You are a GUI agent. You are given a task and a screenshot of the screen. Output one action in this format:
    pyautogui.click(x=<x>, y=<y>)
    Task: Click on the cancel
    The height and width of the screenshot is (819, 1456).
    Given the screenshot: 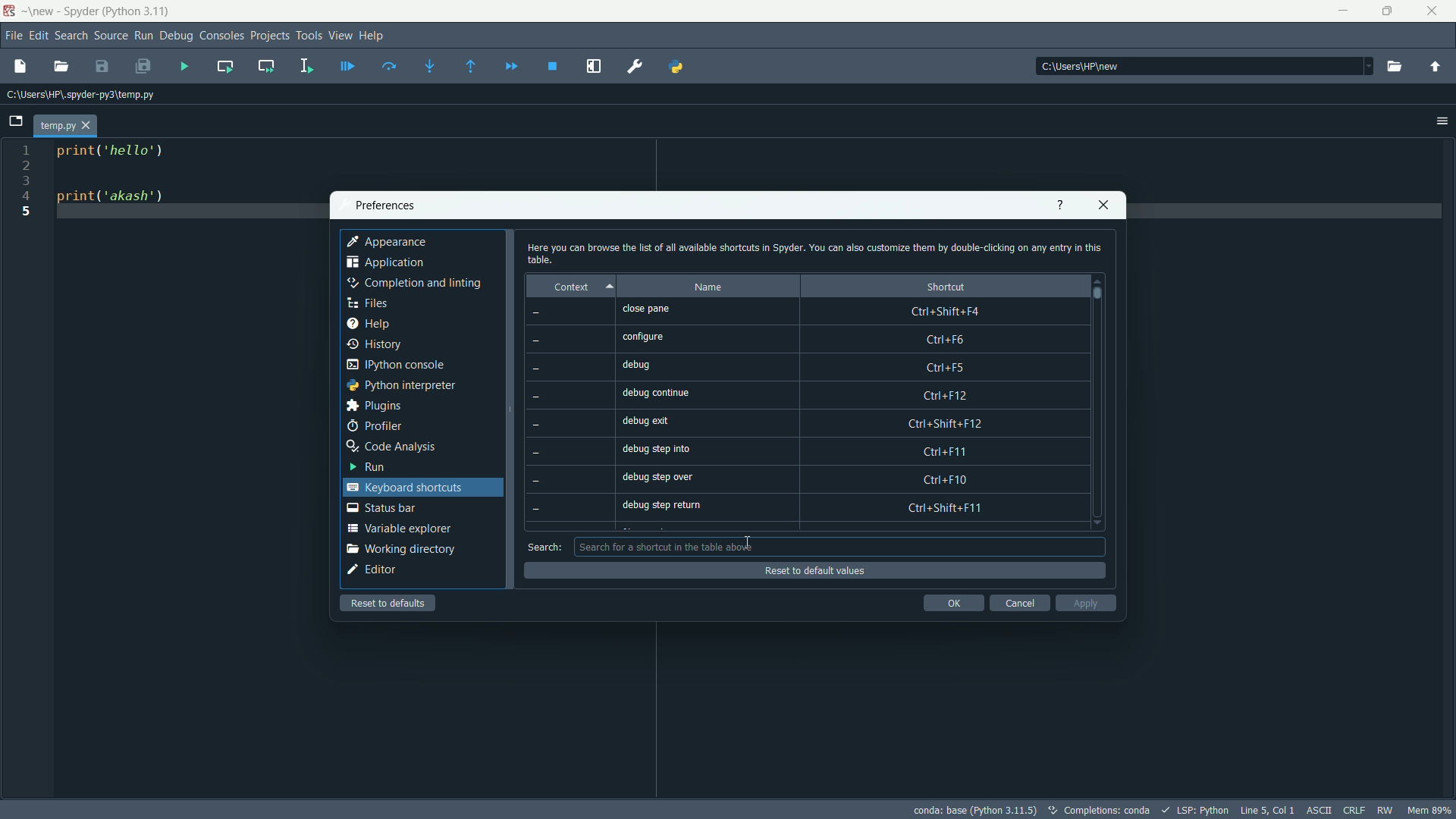 What is the action you would take?
    pyautogui.click(x=1018, y=604)
    